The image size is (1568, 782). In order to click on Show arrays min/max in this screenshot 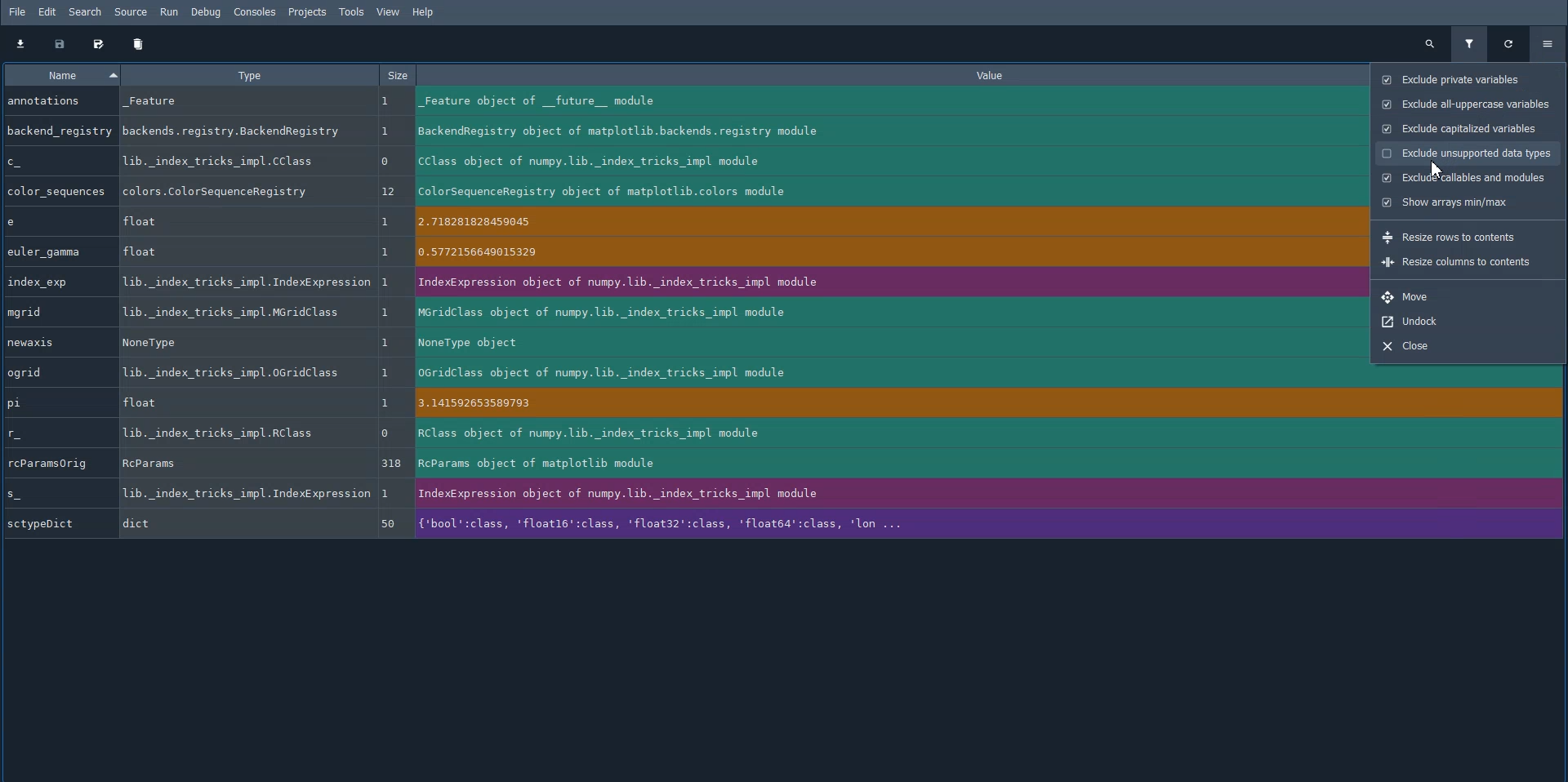, I will do `click(1445, 201)`.